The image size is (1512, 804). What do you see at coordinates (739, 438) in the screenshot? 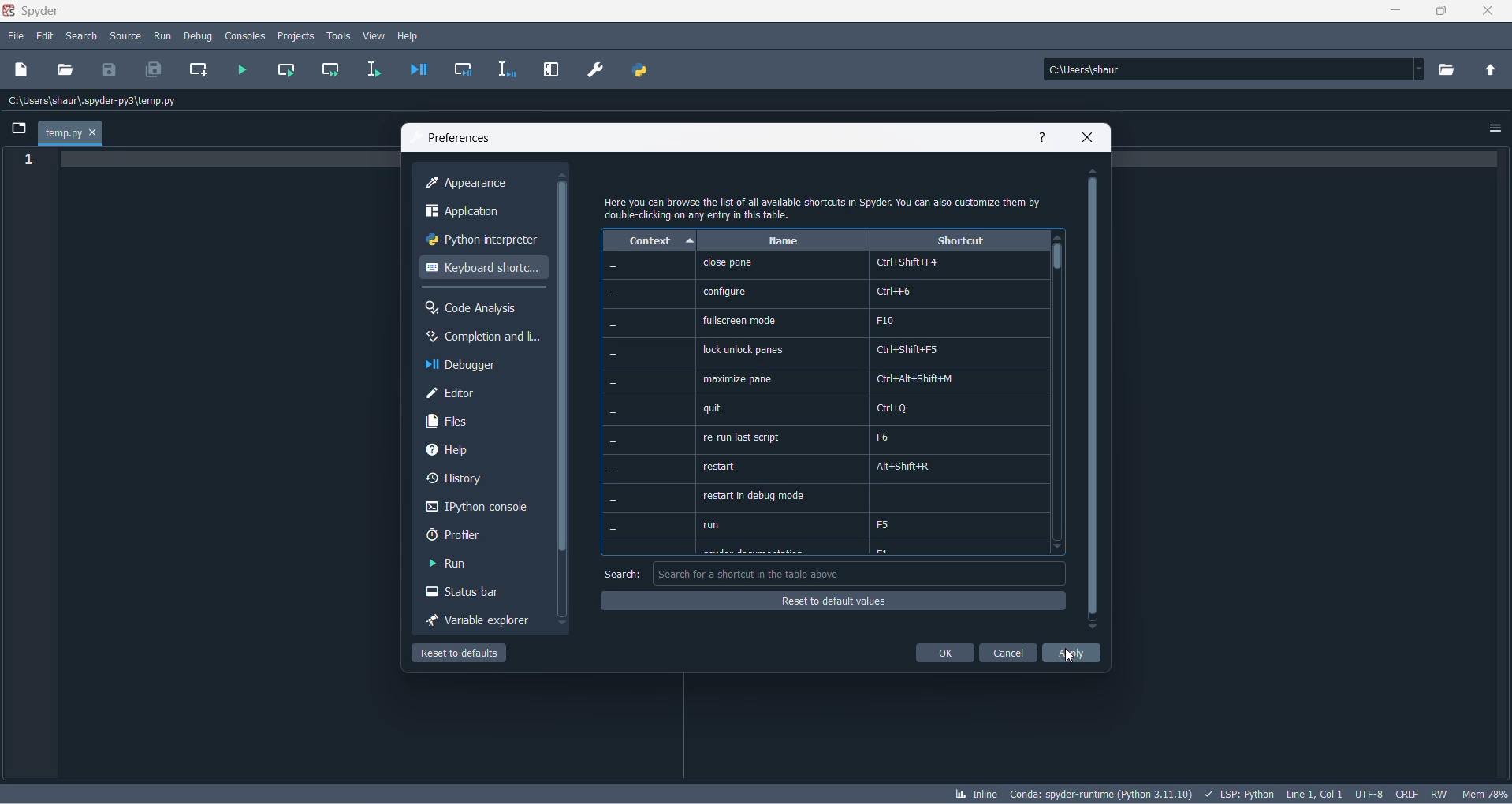
I see `re-run last script` at bounding box center [739, 438].